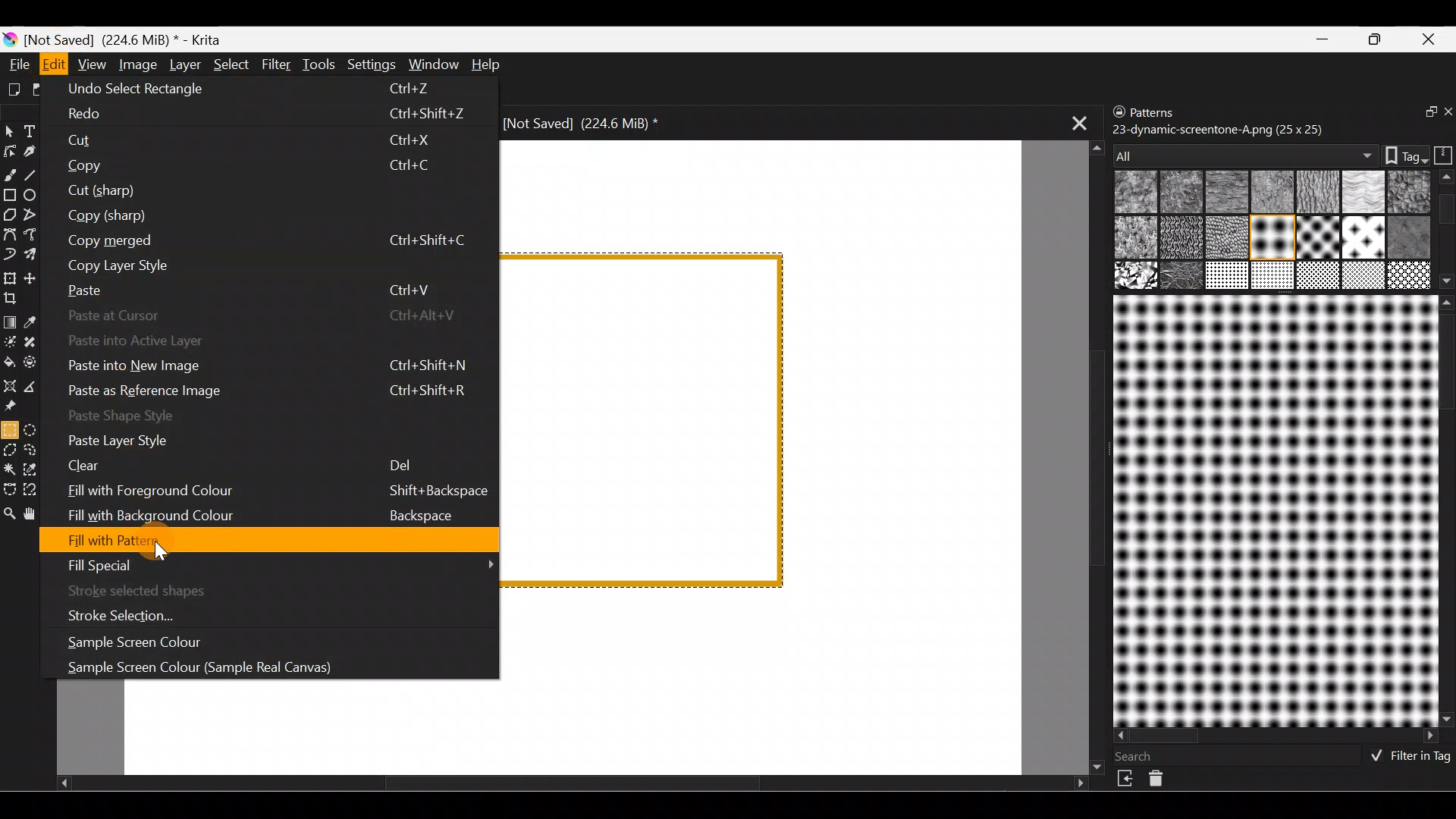  I want to click on Multibrush tool, so click(36, 256).